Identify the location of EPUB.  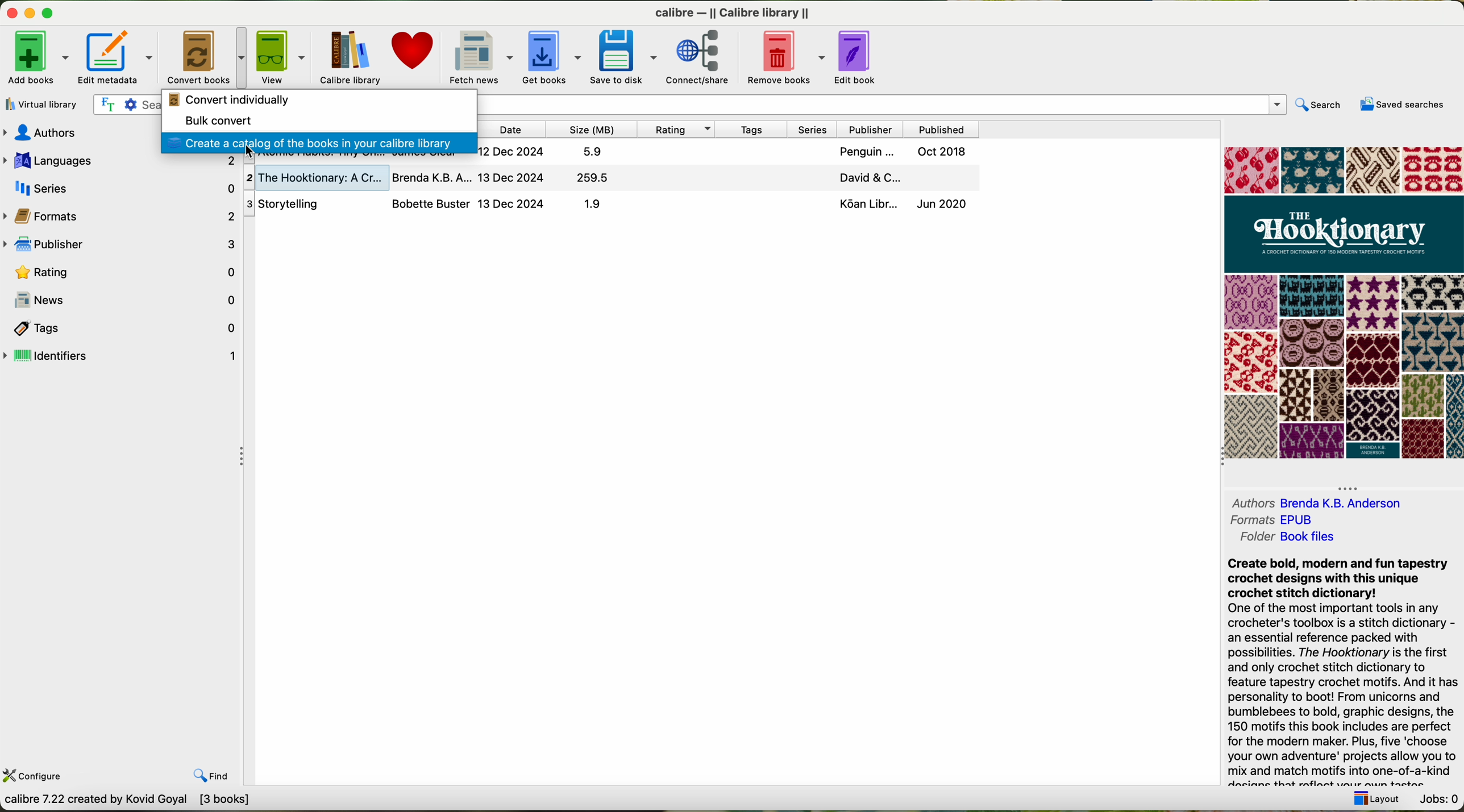
(1314, 519).